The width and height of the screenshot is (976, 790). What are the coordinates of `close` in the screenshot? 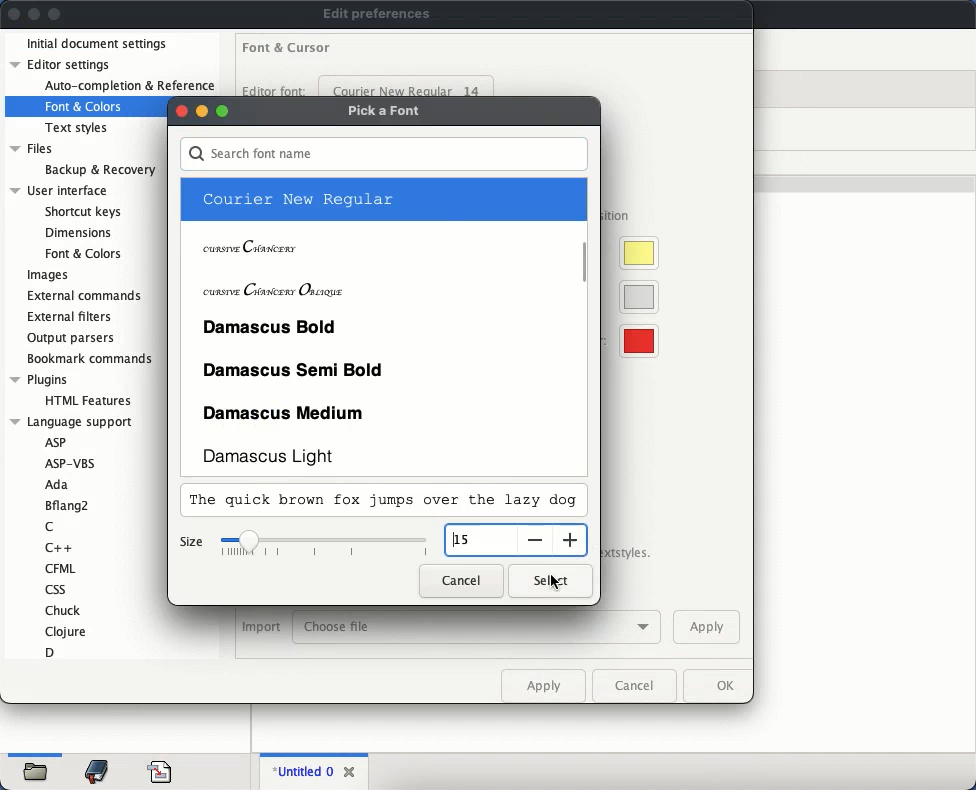 It's located at (180, 111).